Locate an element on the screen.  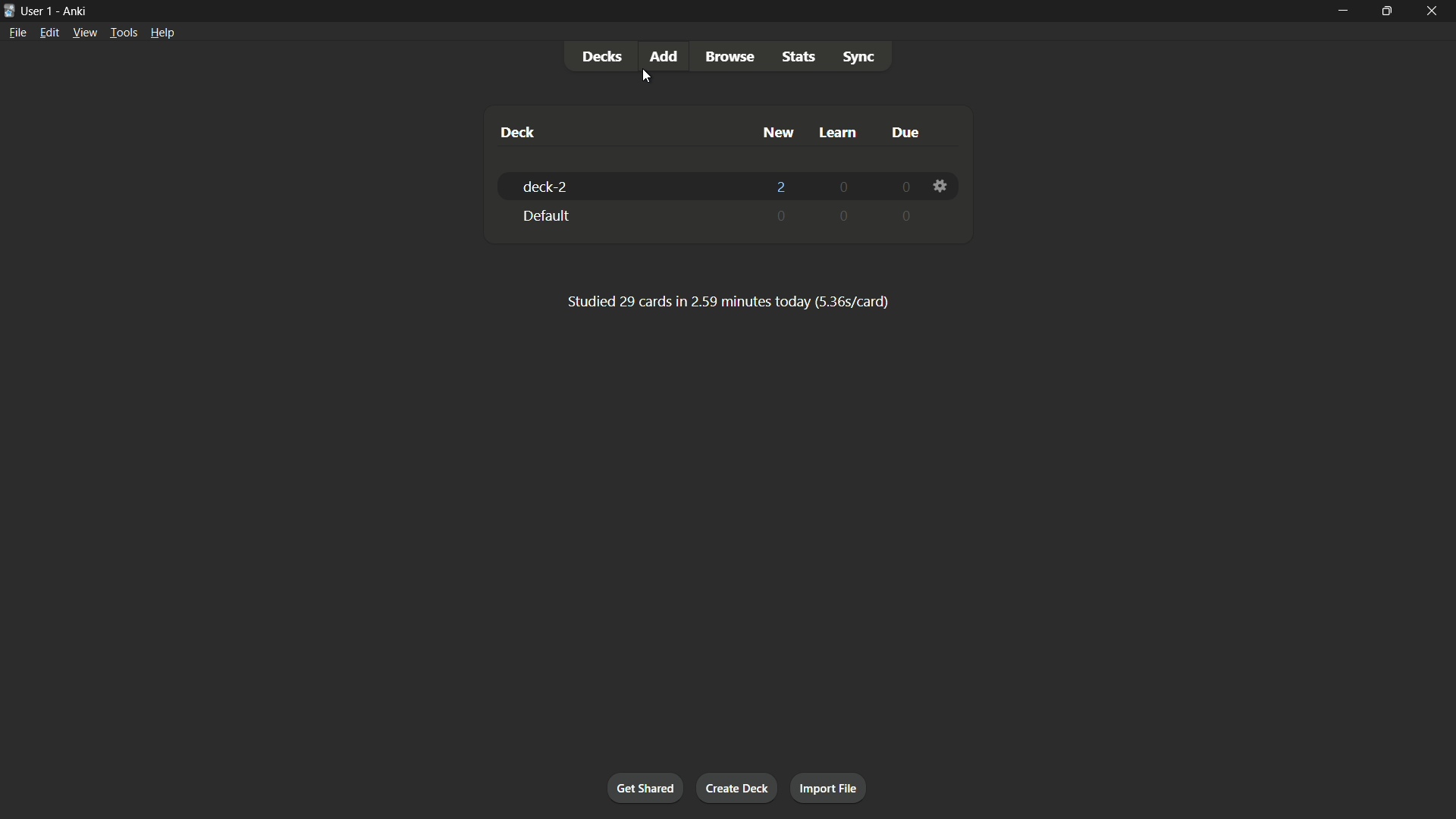
add is located at coordinates (662, 56).